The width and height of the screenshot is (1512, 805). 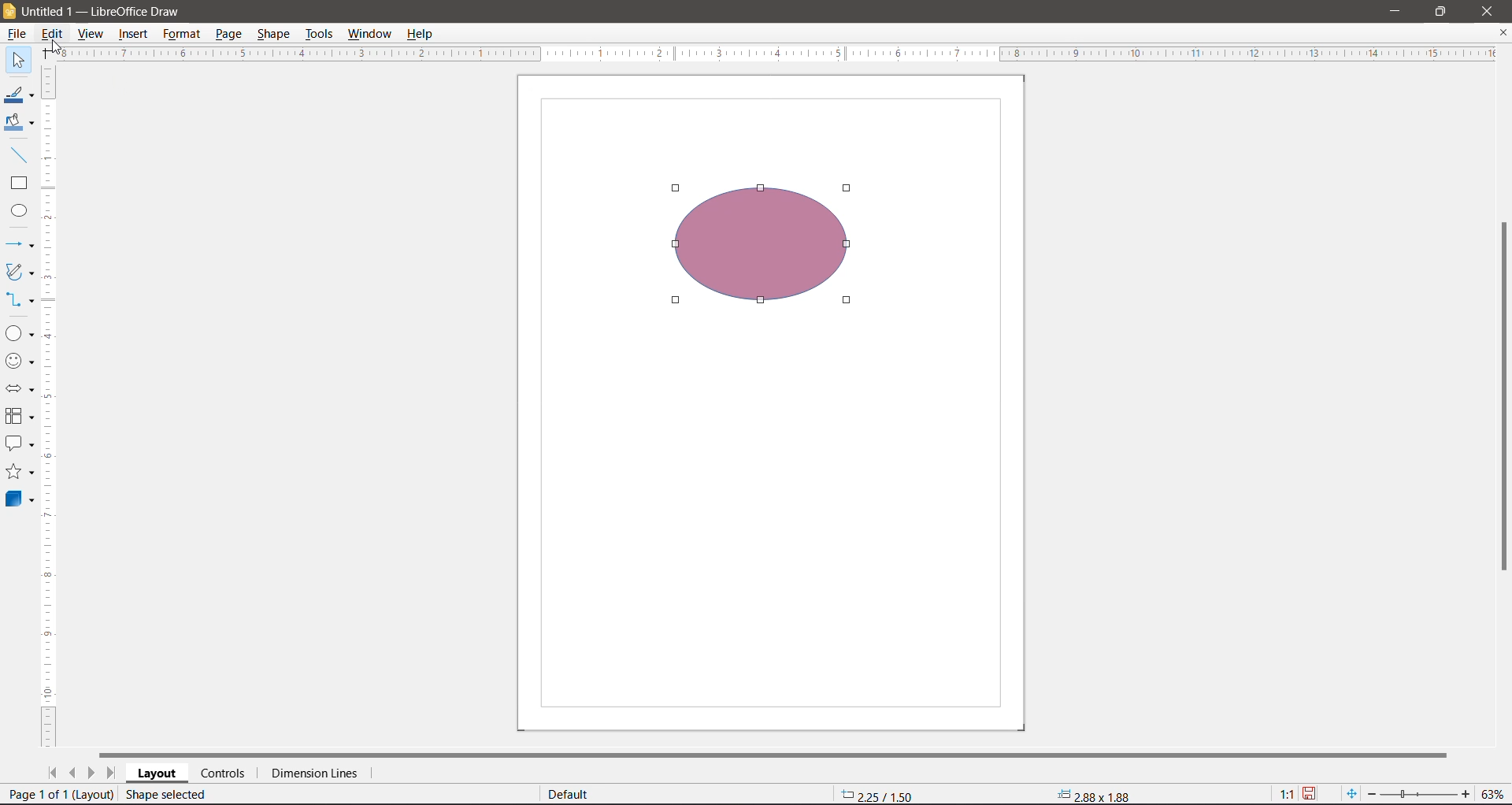 What do you see at coordinates (371, 34) in the screenshot?
I see `Window` at bounding box center [371, 34].